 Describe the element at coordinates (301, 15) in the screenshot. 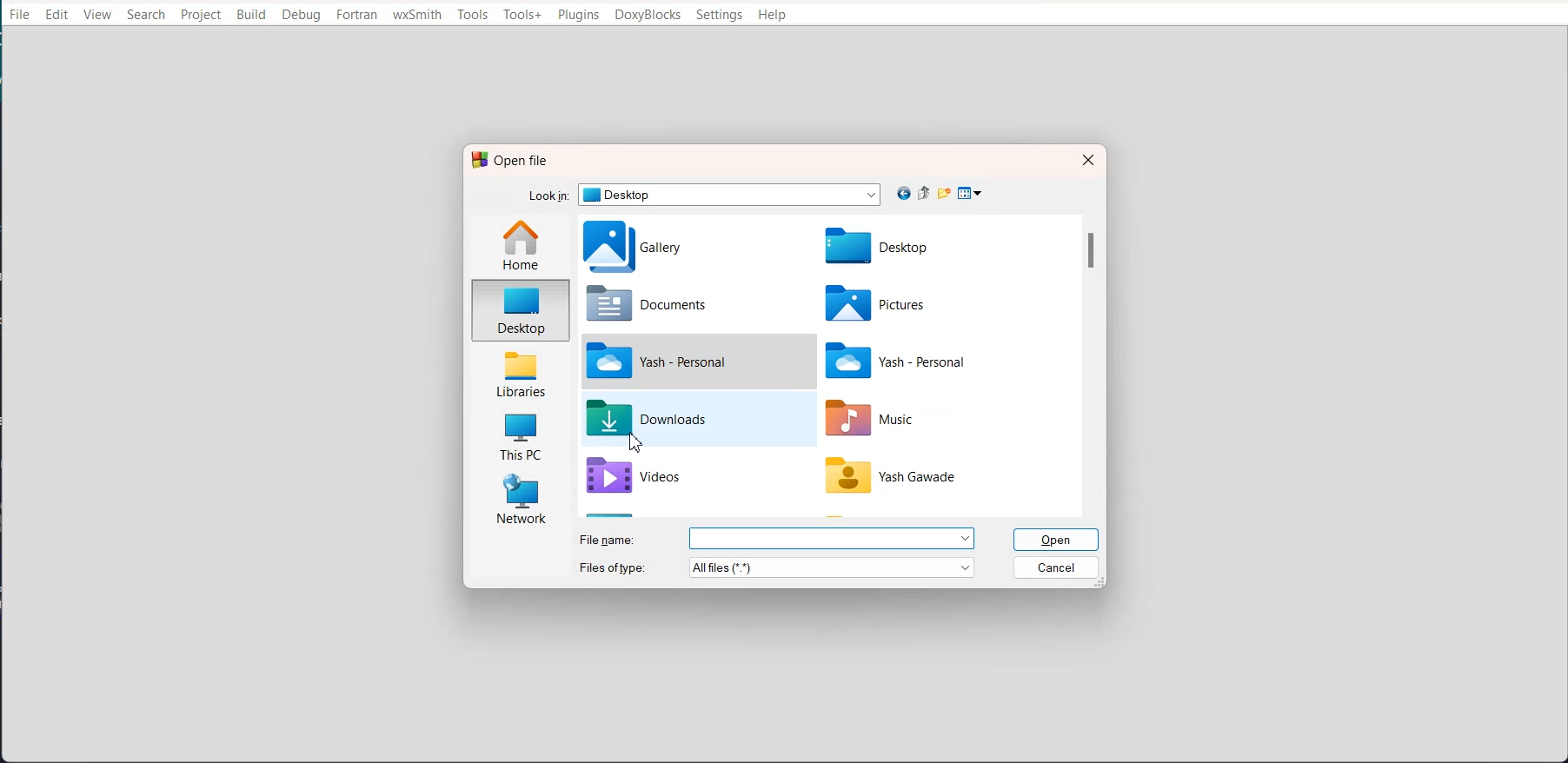

I see `Debug` at that location.